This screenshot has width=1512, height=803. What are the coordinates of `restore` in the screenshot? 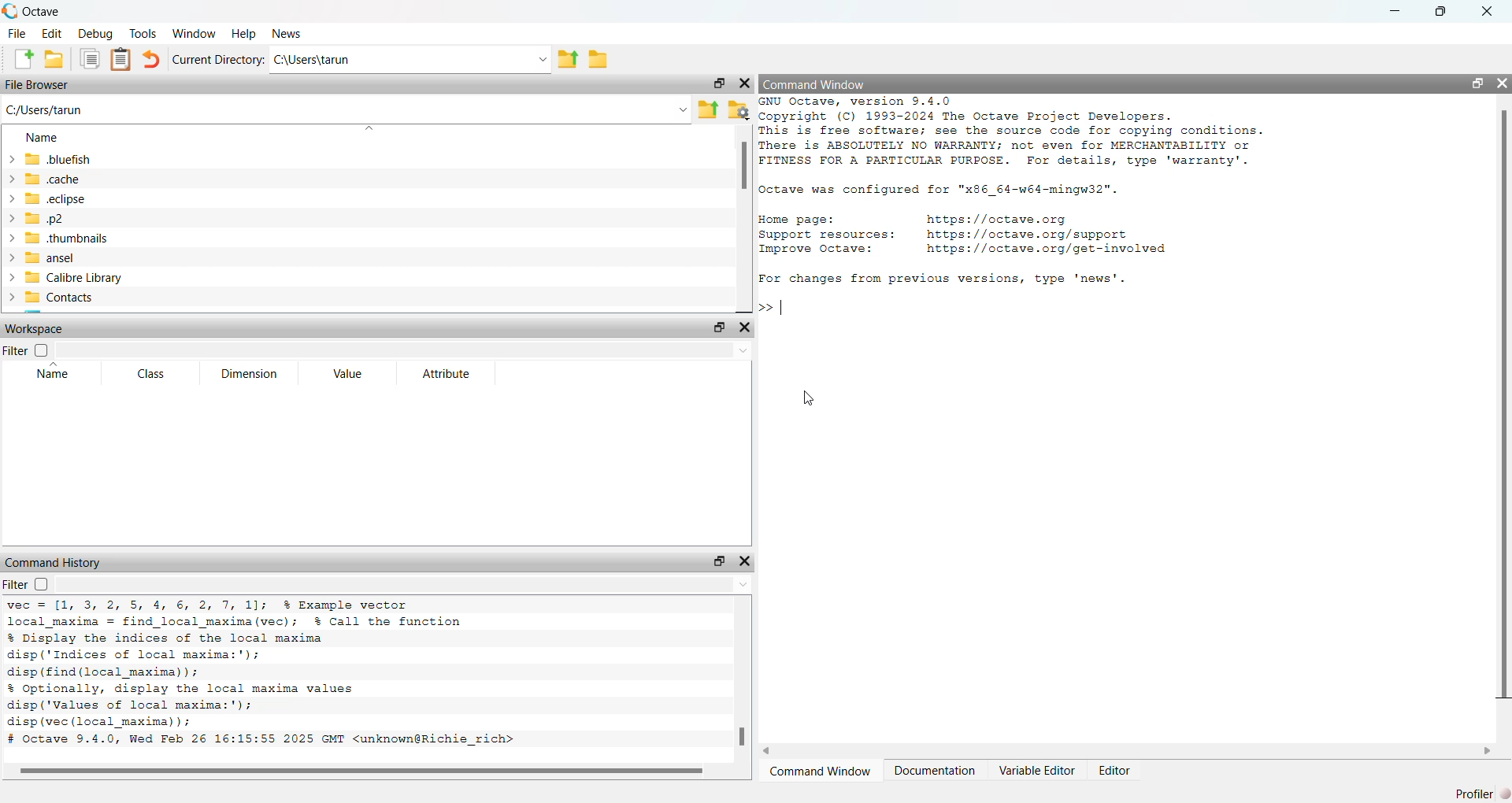 It's located at (1440, 13).